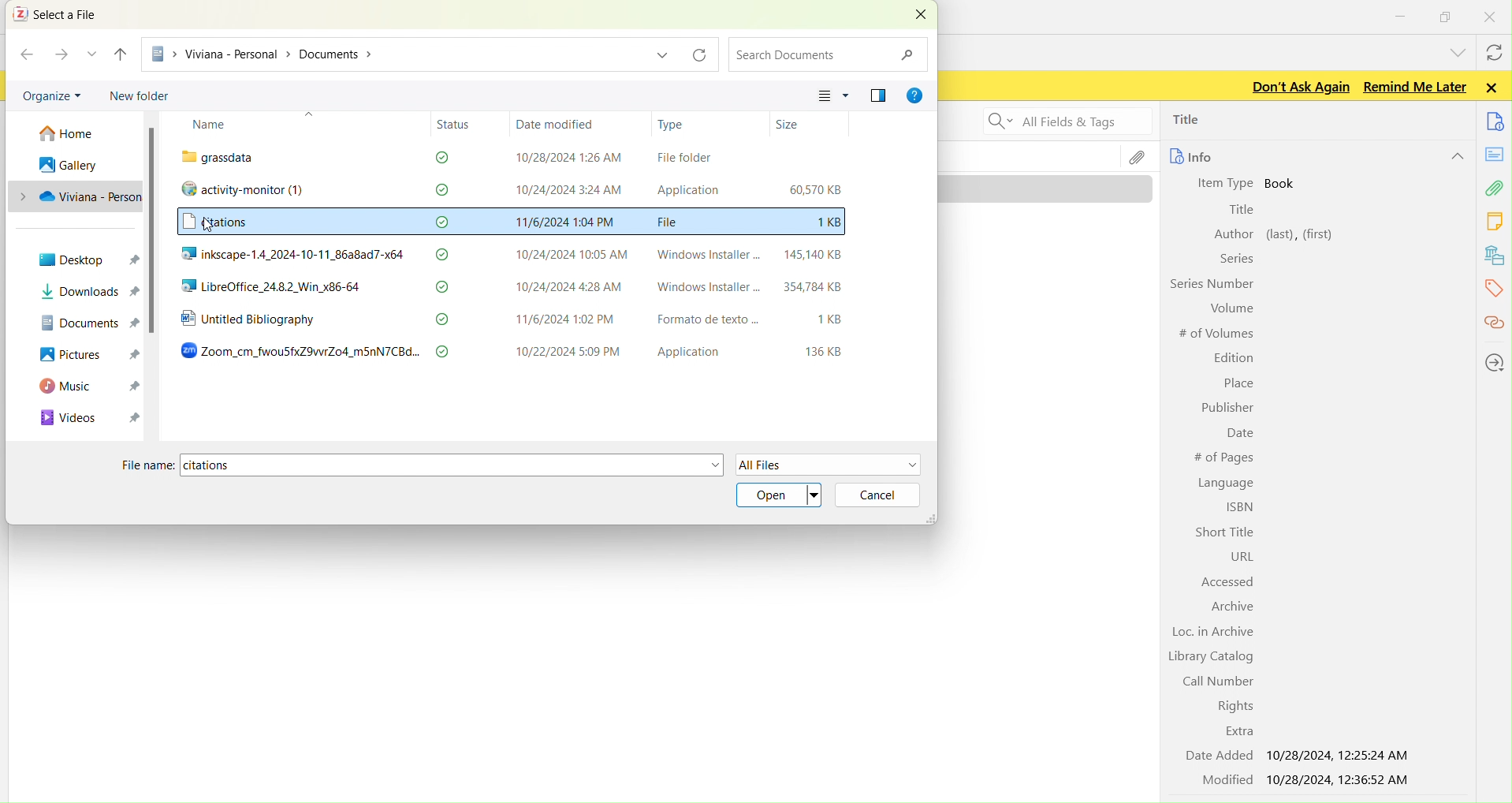  Describe the element at coordinates (824, 352) in the screenshot. I see `136 KB` at that location.